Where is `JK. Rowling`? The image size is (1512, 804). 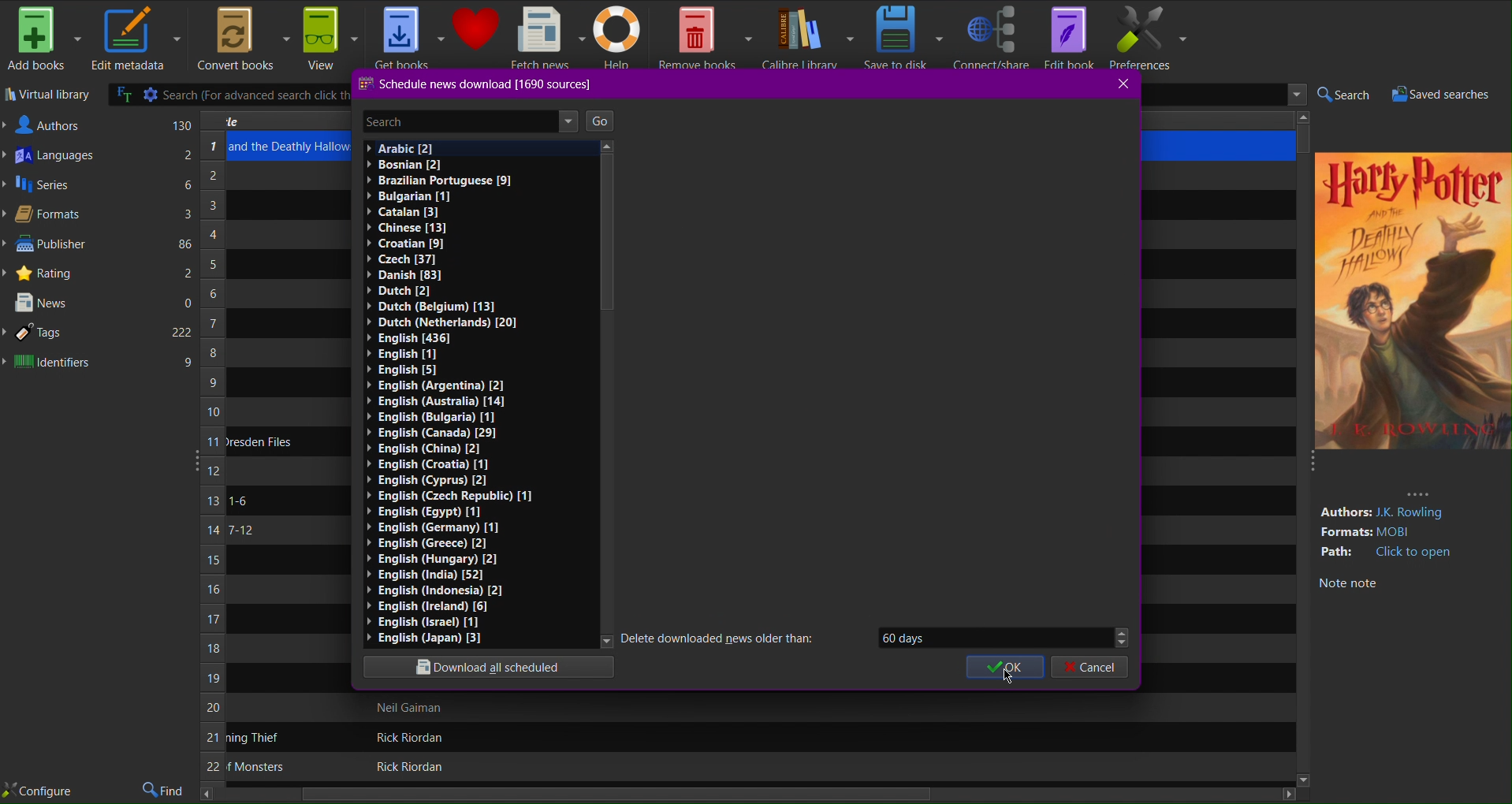
JK. Rowling is located at coordinates (1415, 513).